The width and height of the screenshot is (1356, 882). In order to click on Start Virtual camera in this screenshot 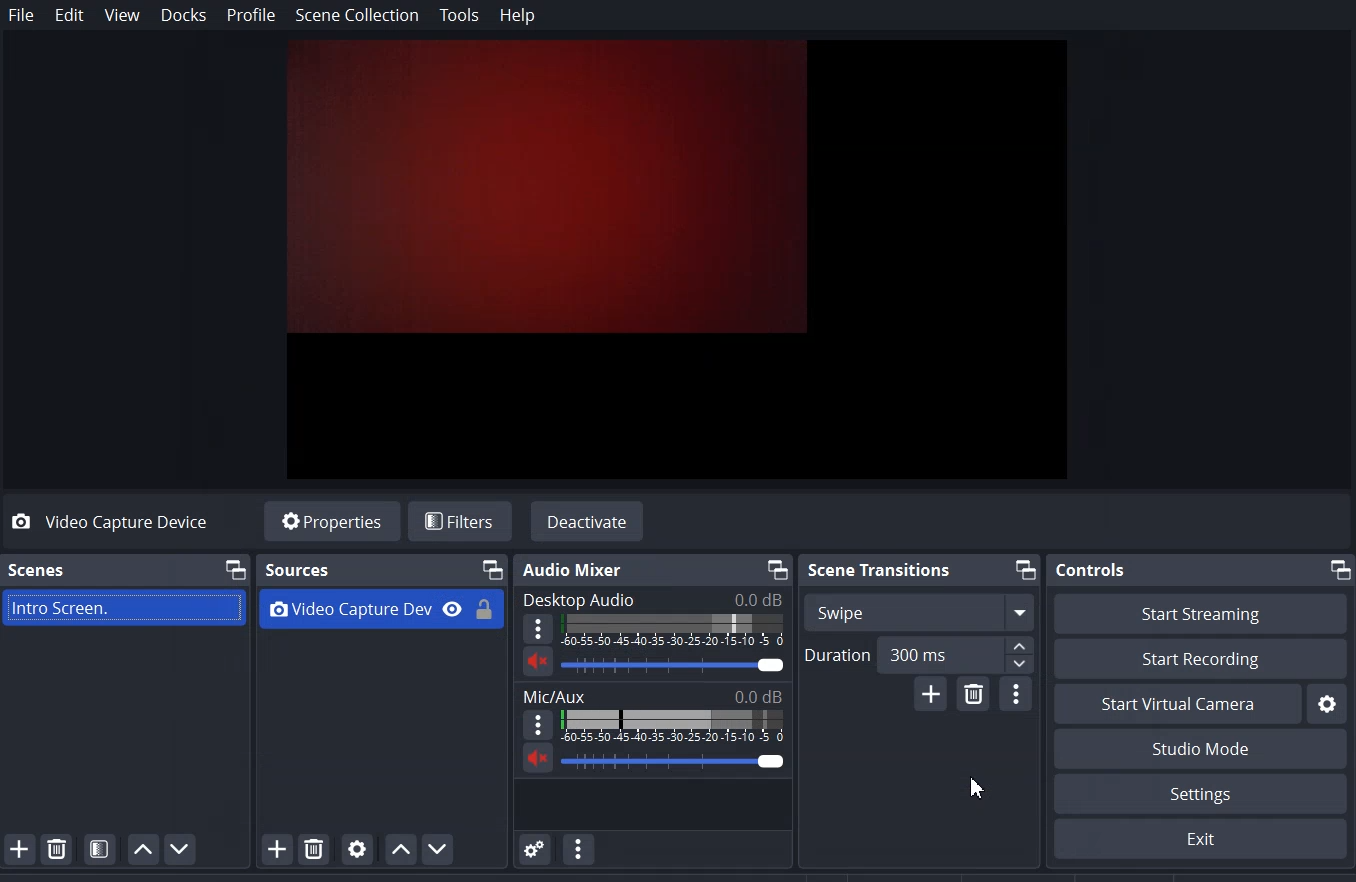, I will do `click(1177, 704)`.